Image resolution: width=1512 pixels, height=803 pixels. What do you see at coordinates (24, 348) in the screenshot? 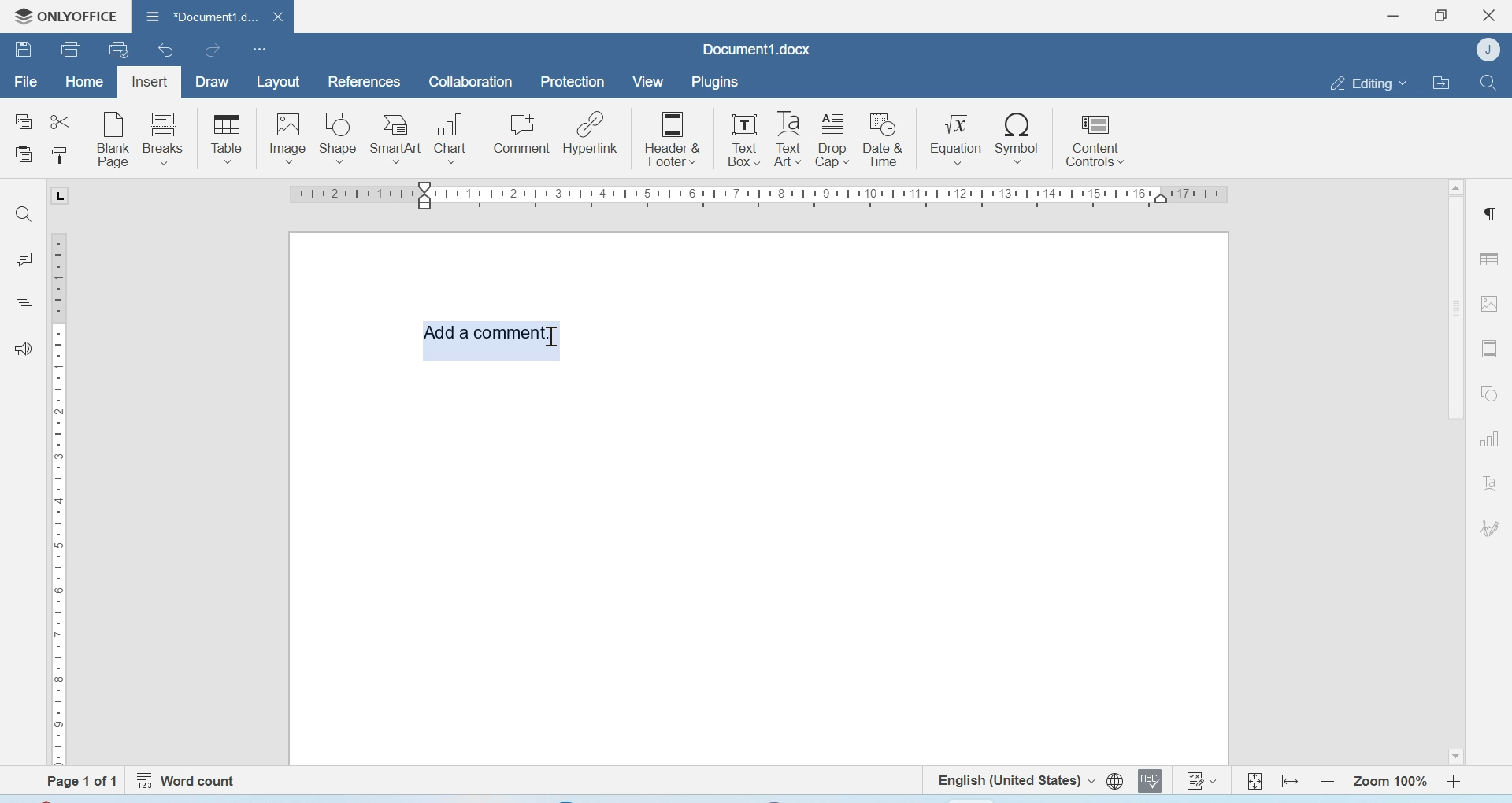
I see `Feedback & Support` at bounding box center [24, 348].